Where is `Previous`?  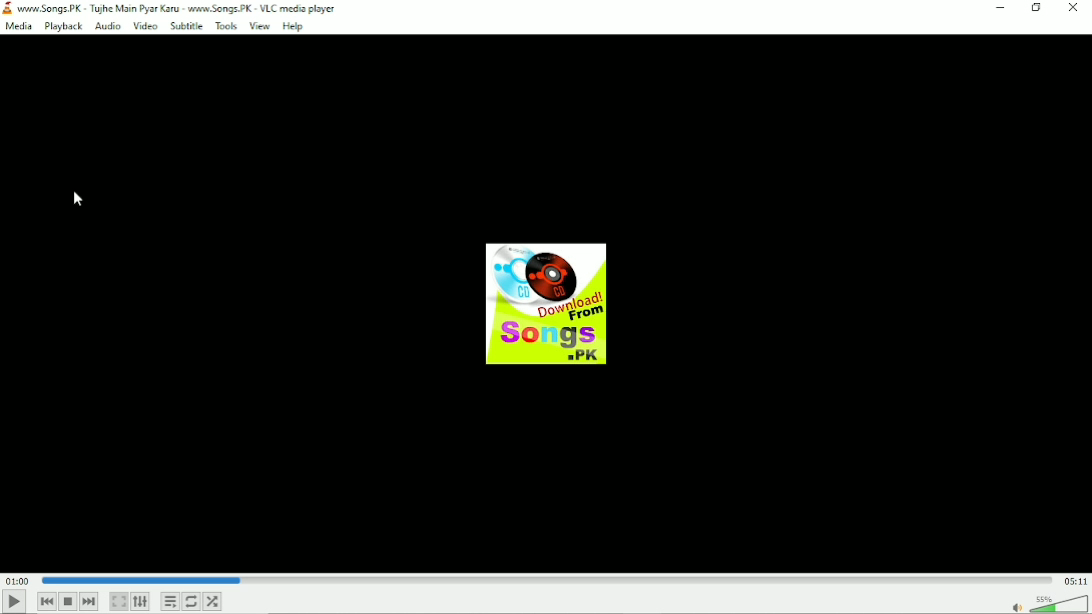
Previous is located at coordinates (47, 601).